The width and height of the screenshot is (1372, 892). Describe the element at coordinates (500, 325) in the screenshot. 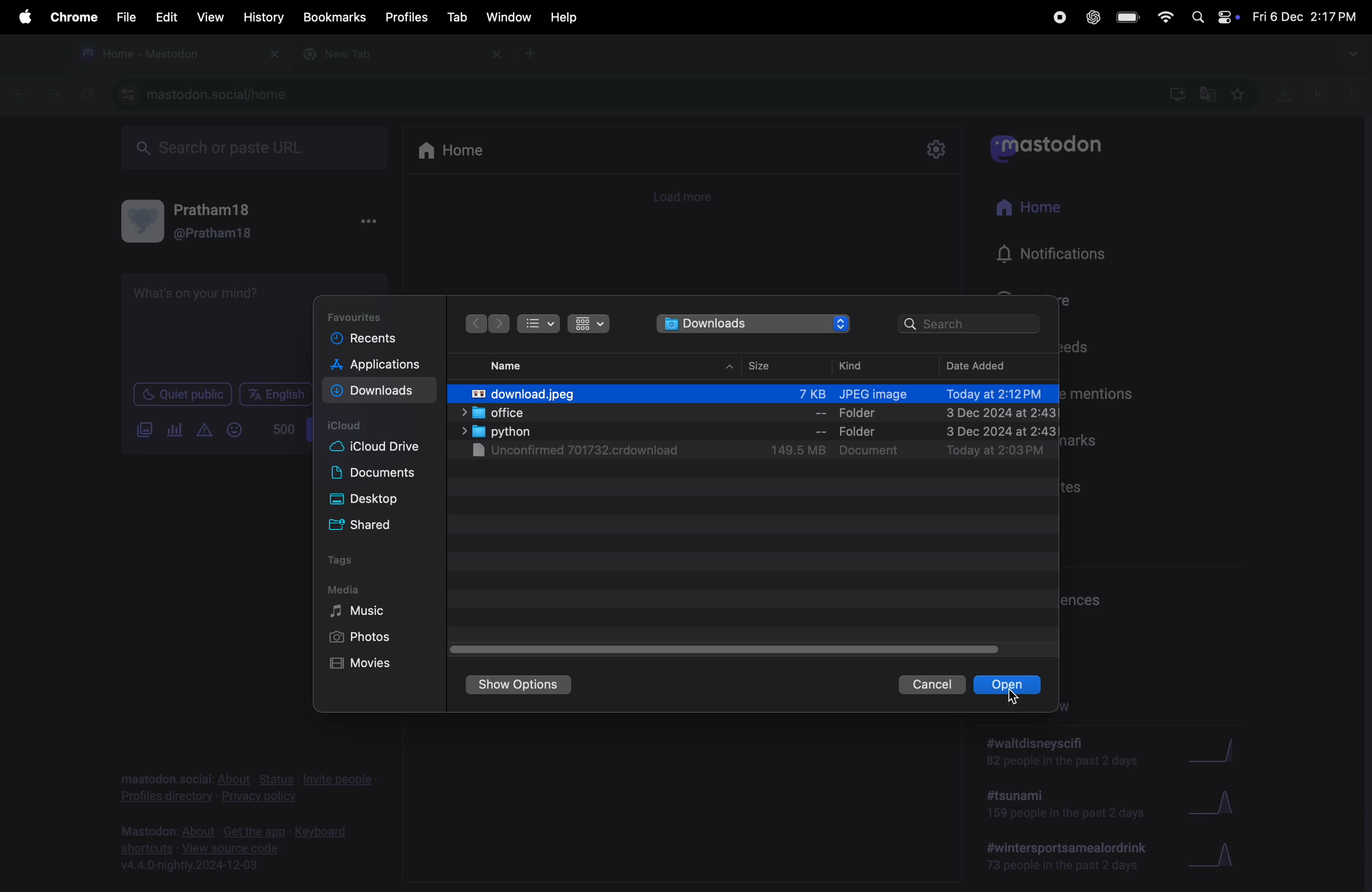

I see `forward` at that location.